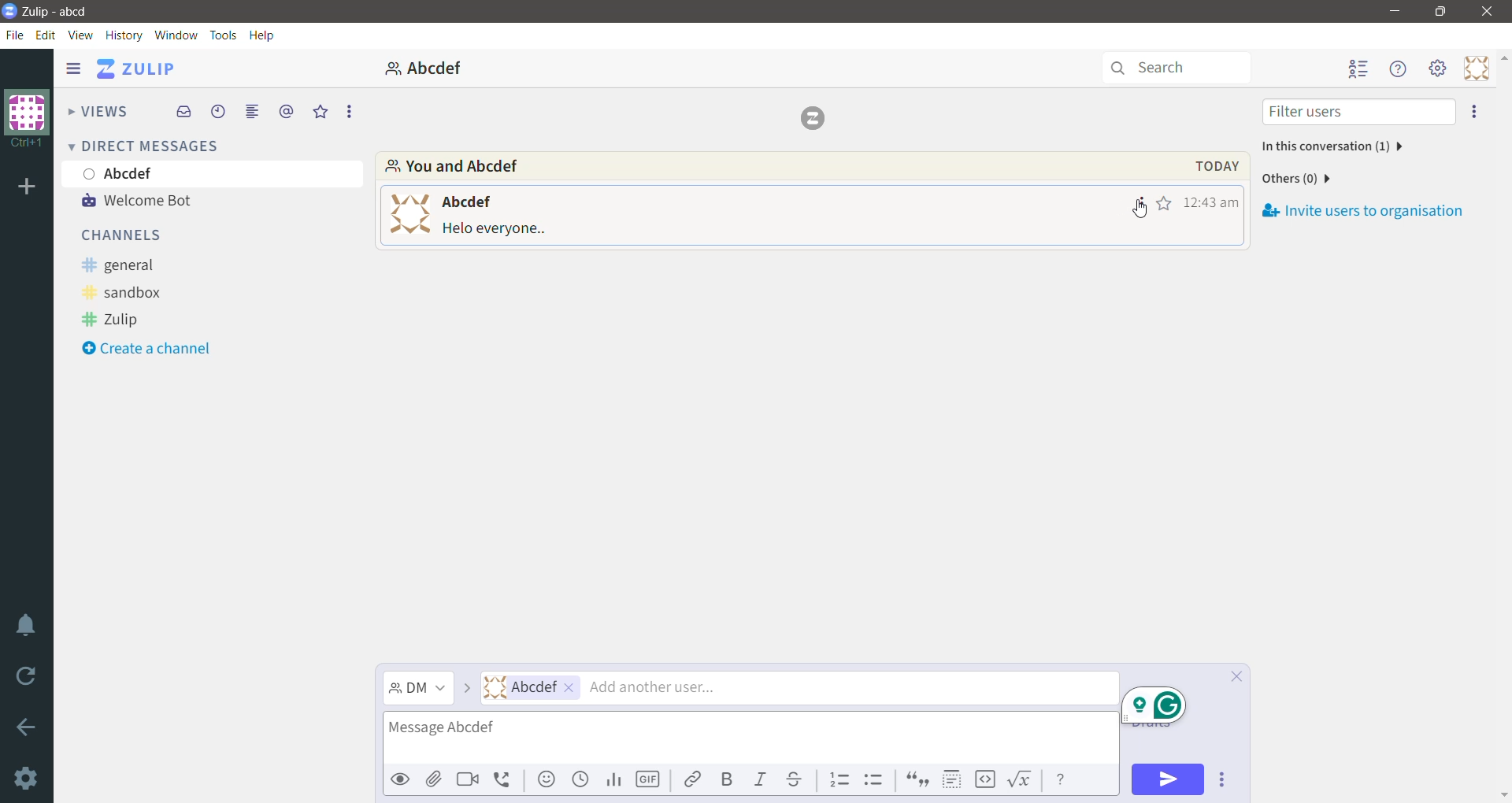 The height and width of the screenshot is (803, 1512). What do you see at coordinates (1232, 675) in the screenshot?
I see `Cancel compose and save draft` at bounding box center [1232, 675].